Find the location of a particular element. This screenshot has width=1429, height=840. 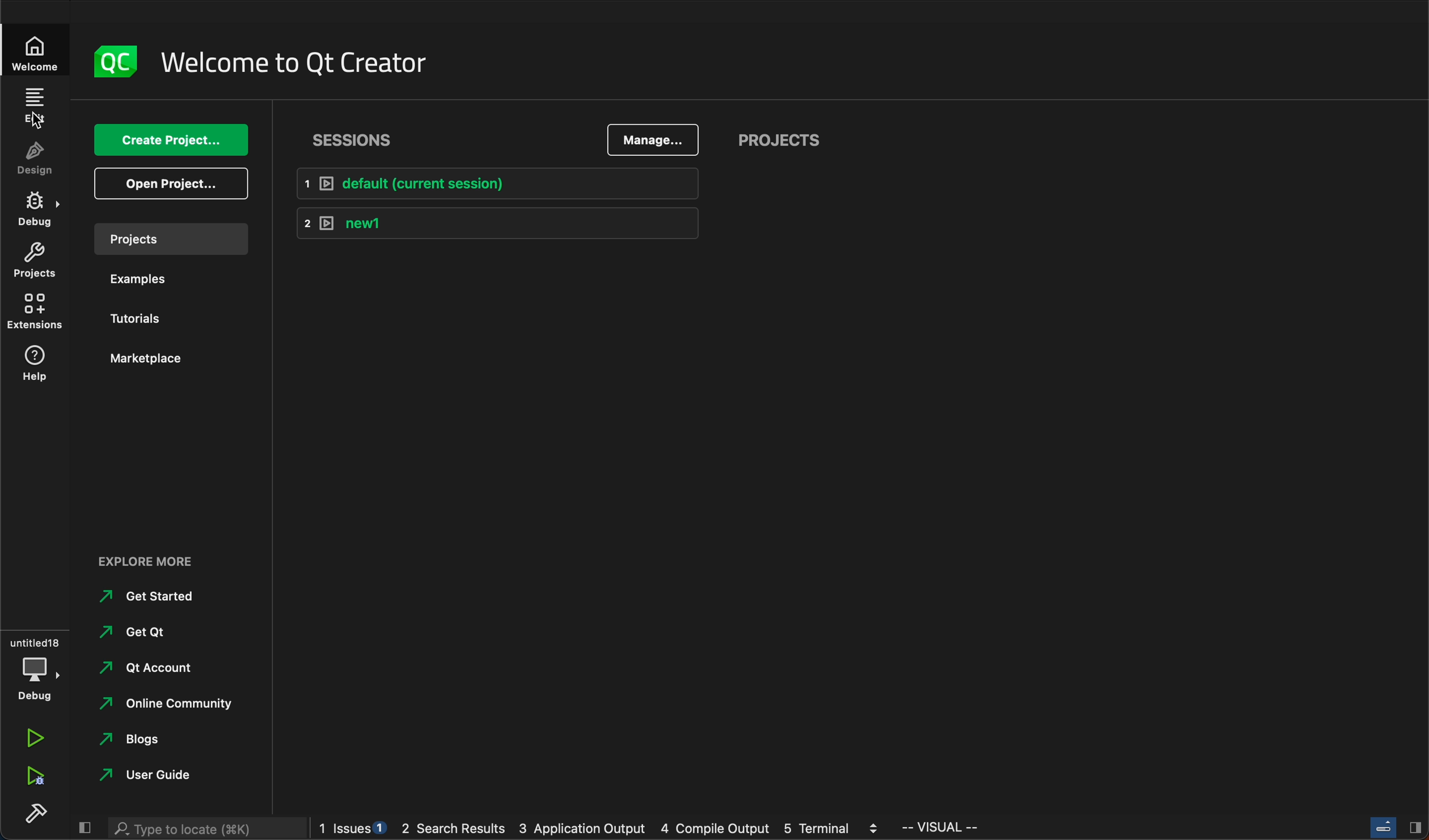

explore more is located at coordinates (149, 562).